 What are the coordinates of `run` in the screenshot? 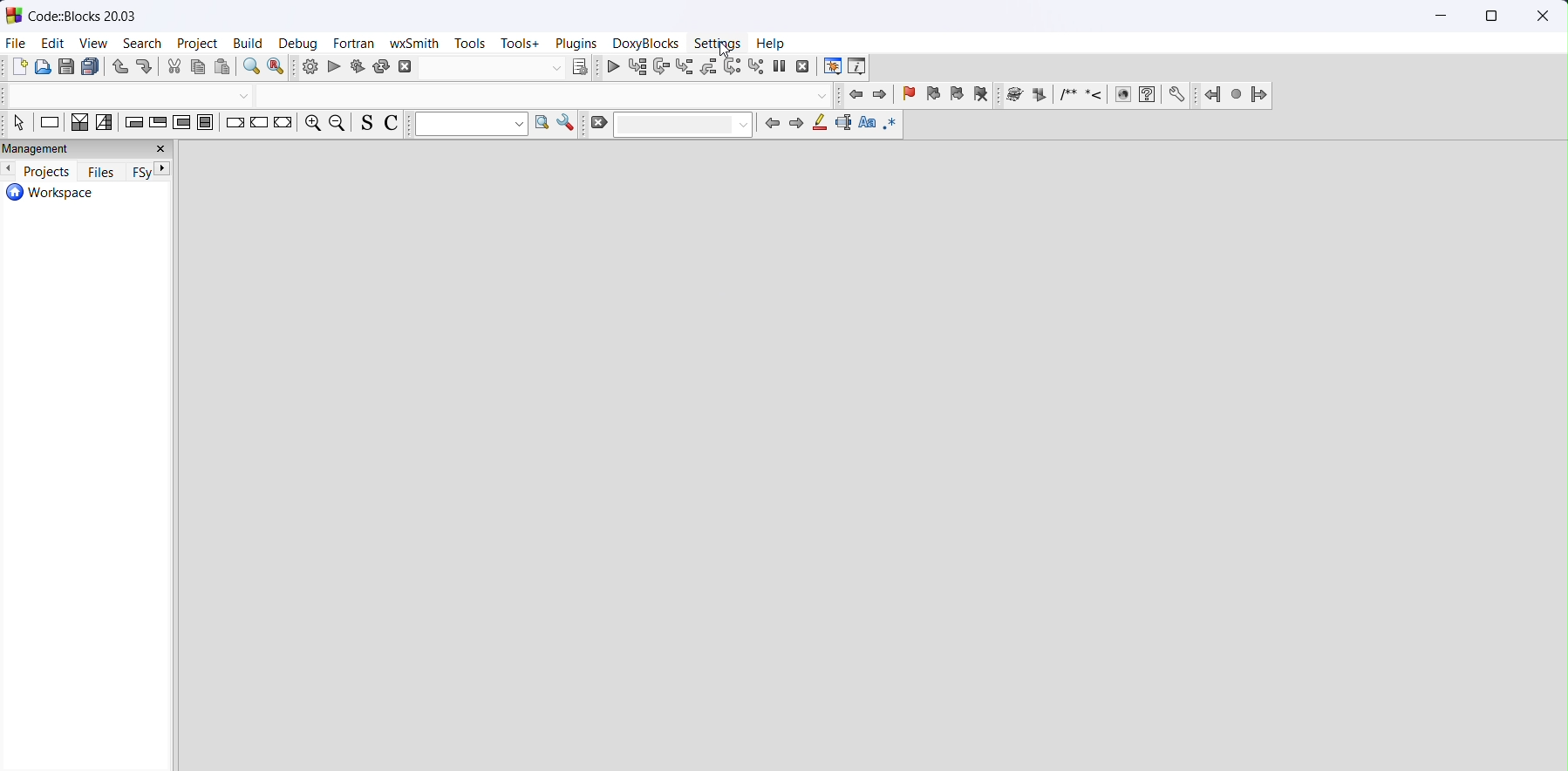 It's located at (336, 67).